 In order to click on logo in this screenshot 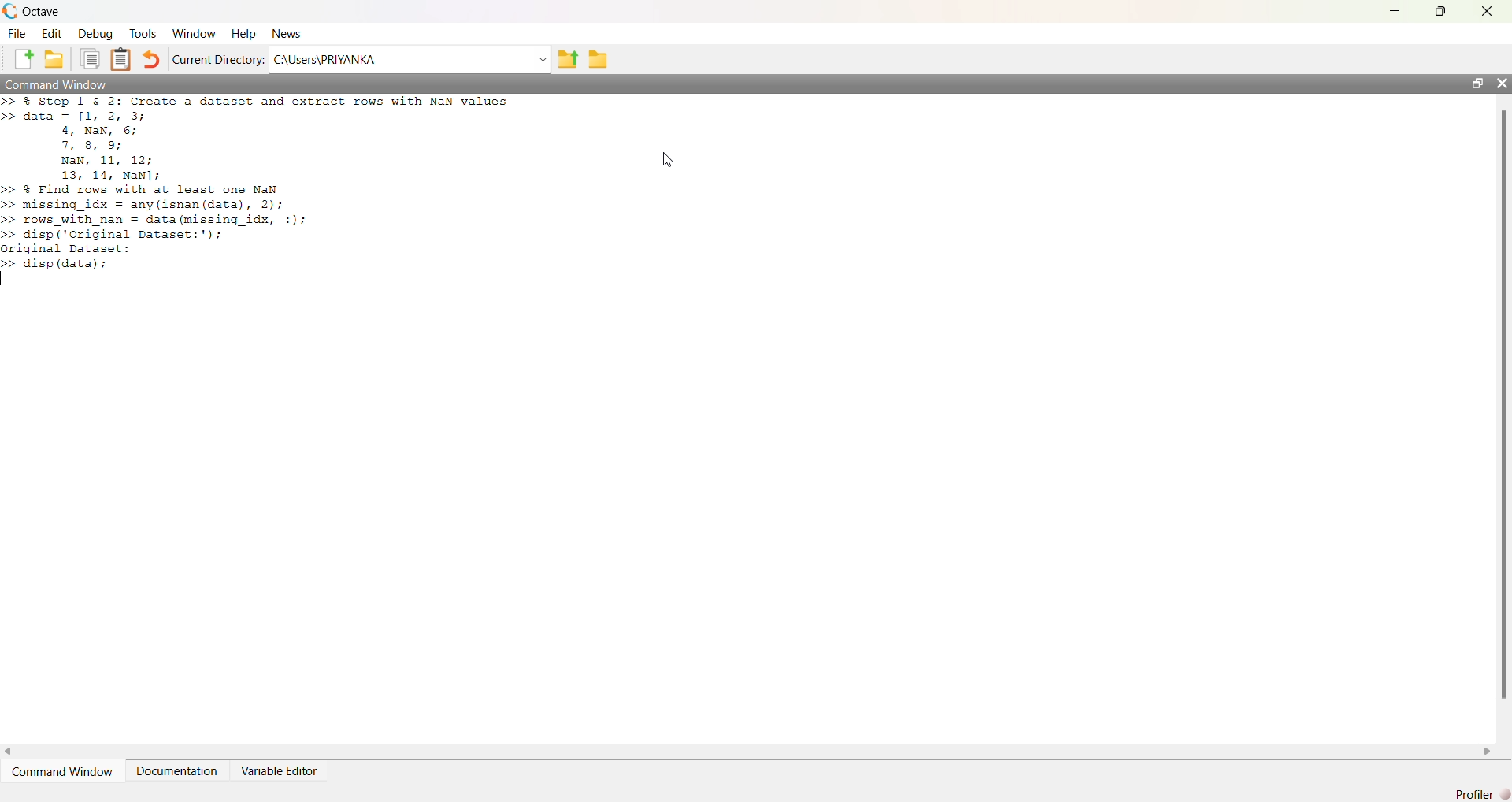, I will do `click(9, 11)`.